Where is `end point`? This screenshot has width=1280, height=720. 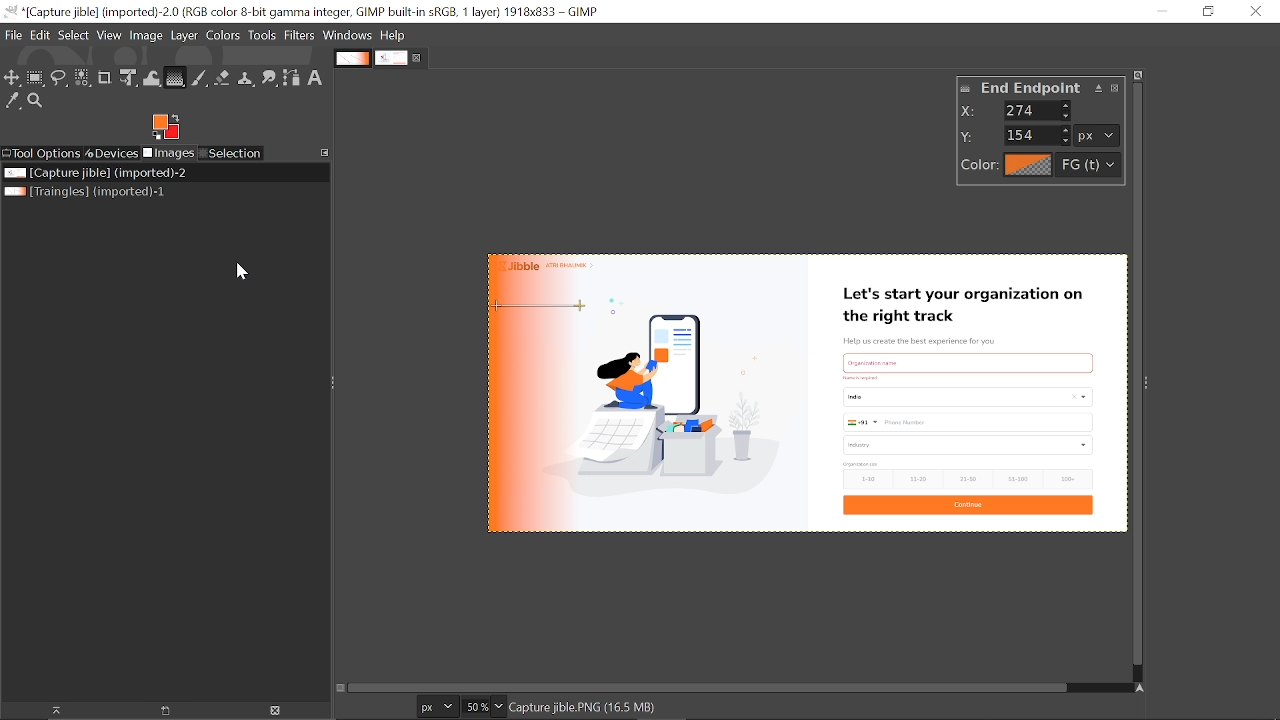 end point is located at coordinates (1044, 89).